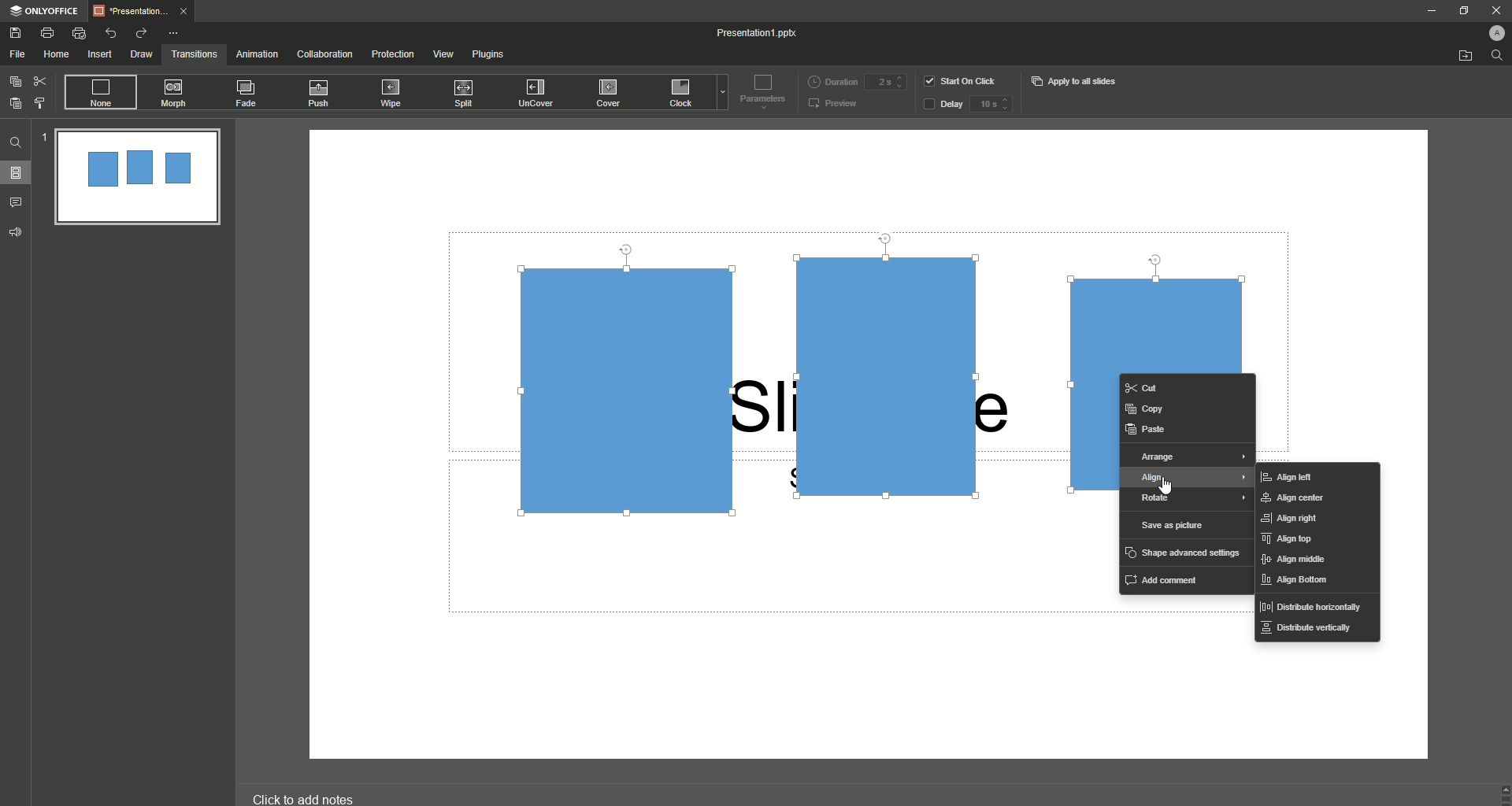 Image resolution: width=1512 pixels, height=806 pixels. Describe the element at coordinates (1169, 305) in the screenshot. I see `shape 3 selected` at that location.